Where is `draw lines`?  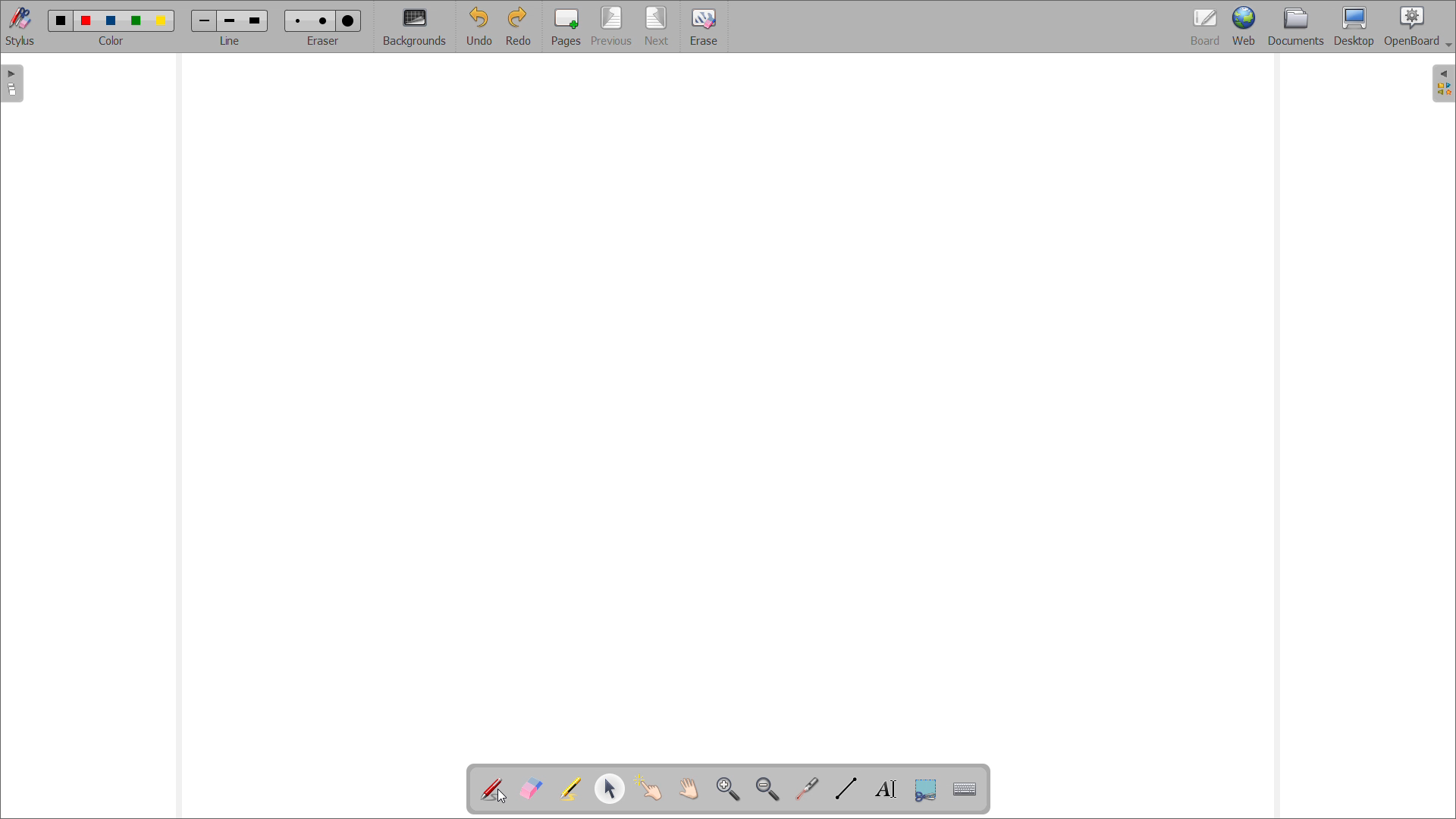 draw lines is located at coordinates (846, 789).